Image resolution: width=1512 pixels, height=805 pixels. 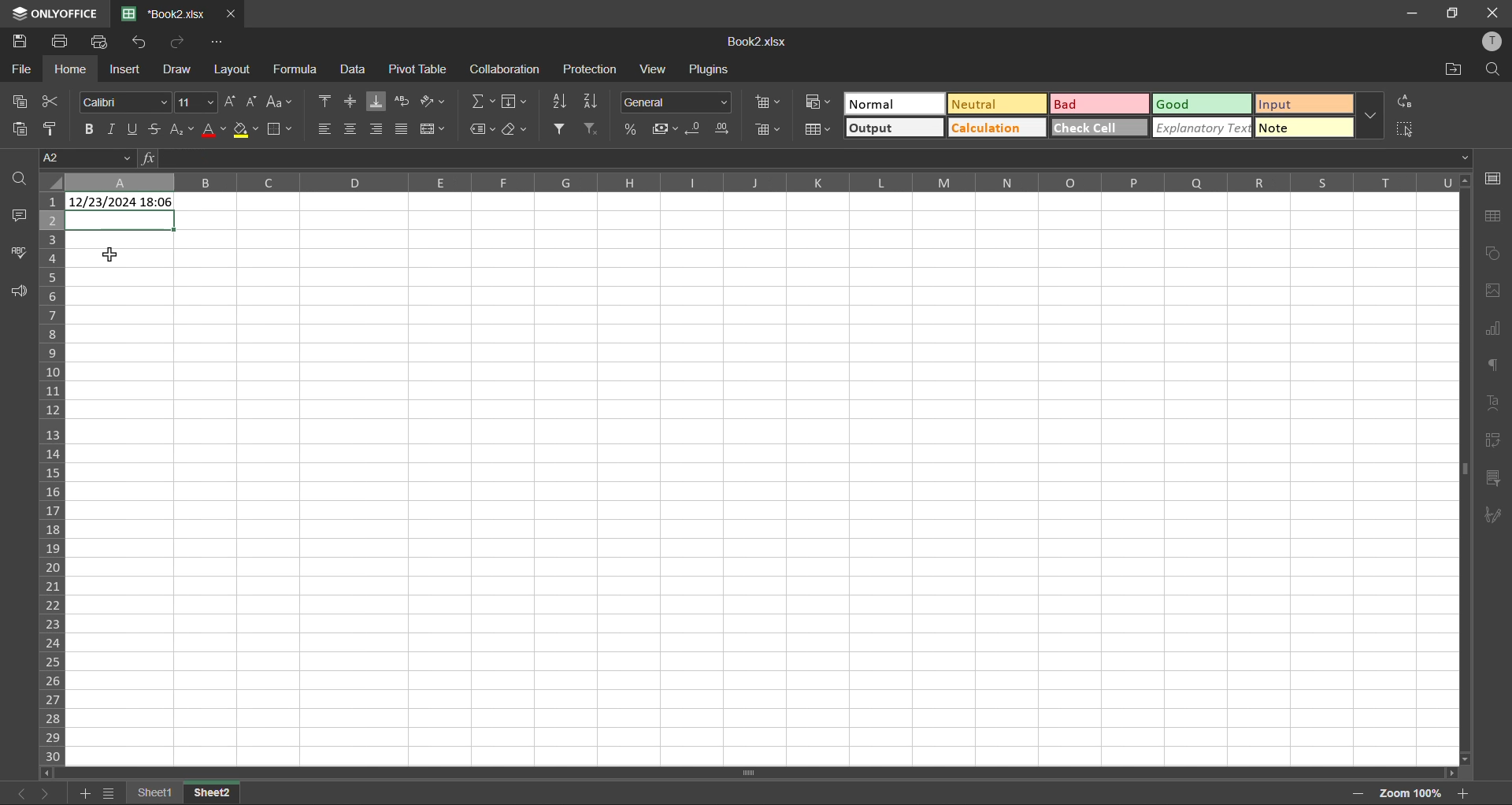 What do you see at coordinates (198, 102) in the screenshot?
I see `font size` at bounding box center [198, 102].